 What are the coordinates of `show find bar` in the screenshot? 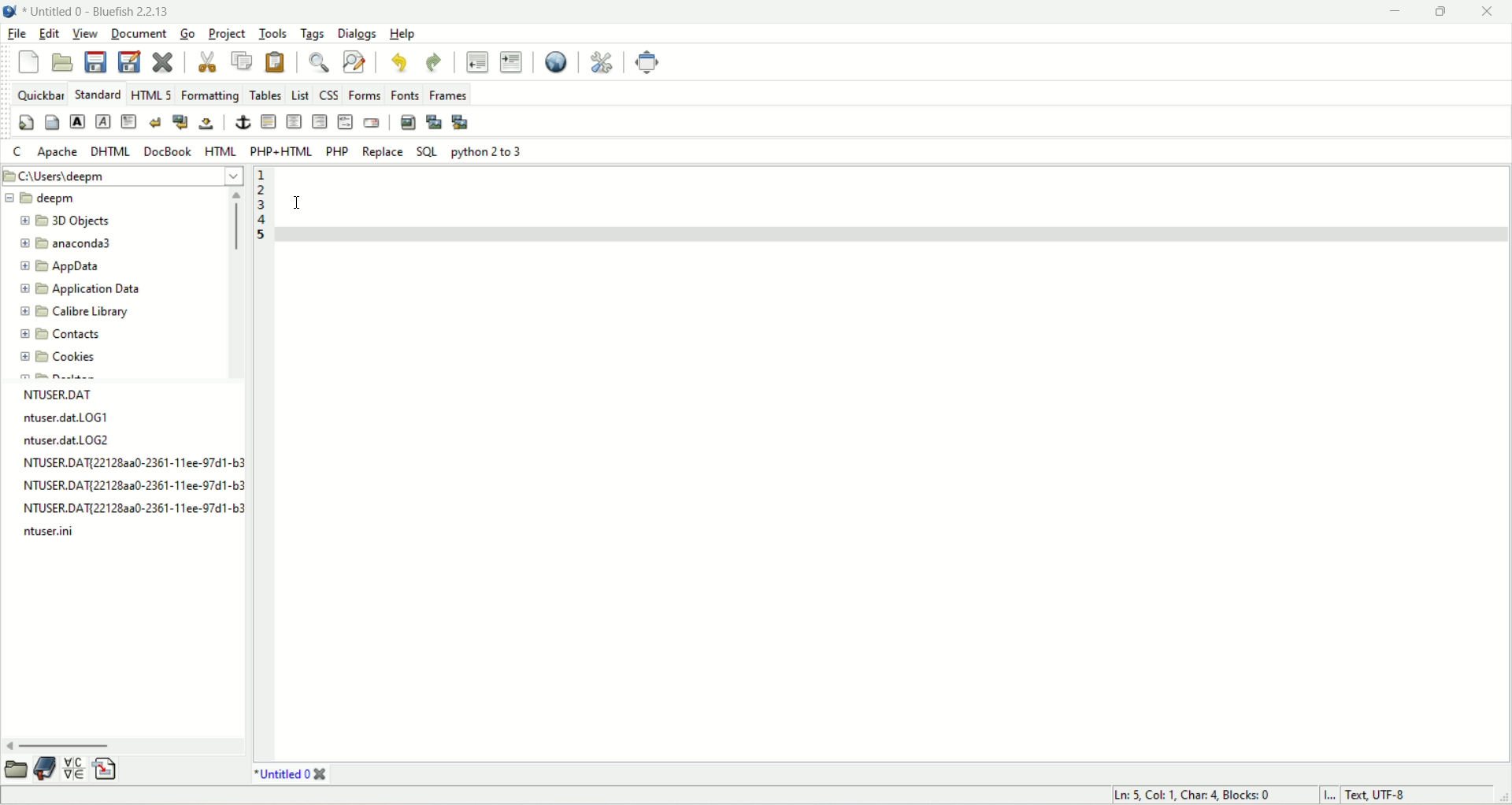 It's located at (316, 61).